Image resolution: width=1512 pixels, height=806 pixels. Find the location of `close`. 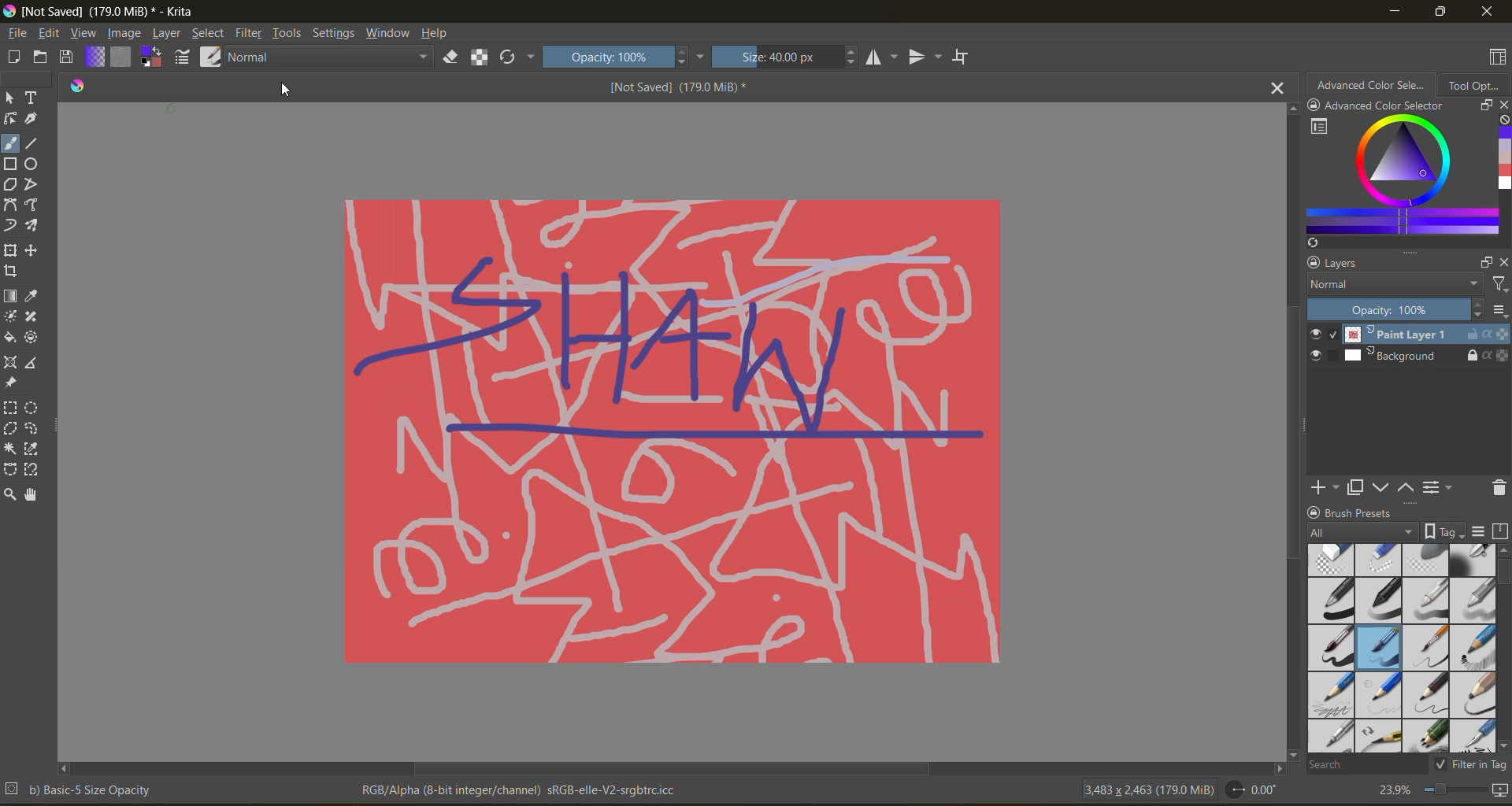

close is located at coordinates (1492, 13).